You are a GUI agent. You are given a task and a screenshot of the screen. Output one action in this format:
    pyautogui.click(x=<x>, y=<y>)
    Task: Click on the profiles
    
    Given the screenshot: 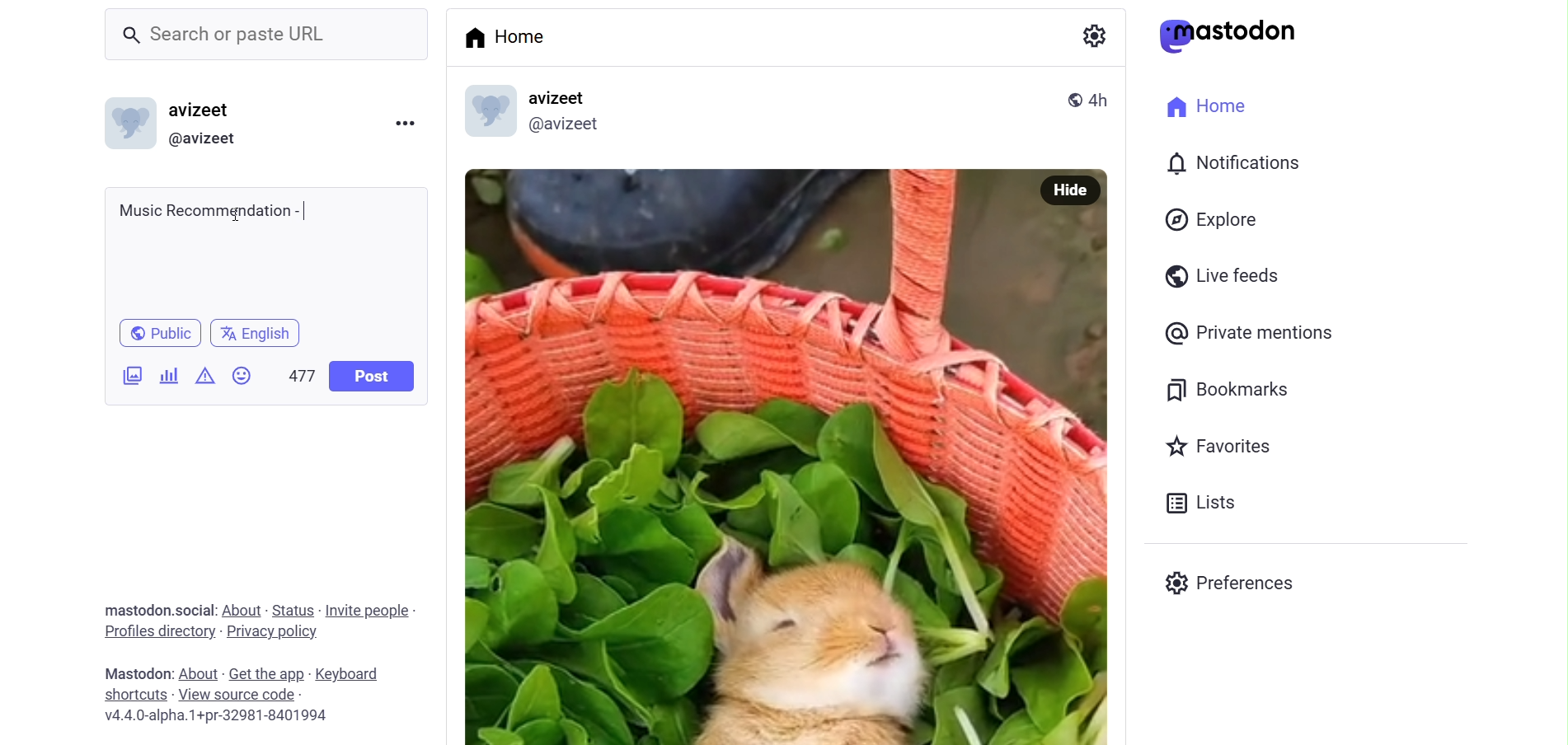 What is the action you would take?
    pyautogui.click(x=149, y=635)
    